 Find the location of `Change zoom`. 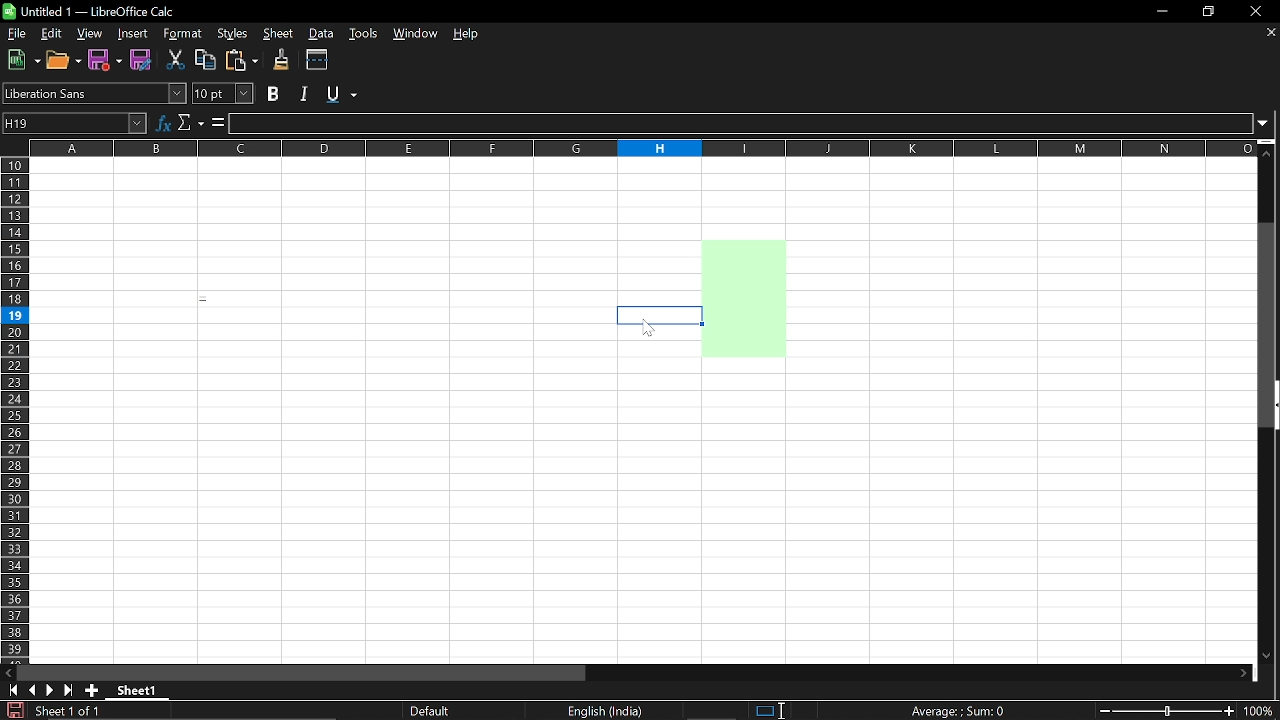

Change zoom is located at coordinates (1170, 712).